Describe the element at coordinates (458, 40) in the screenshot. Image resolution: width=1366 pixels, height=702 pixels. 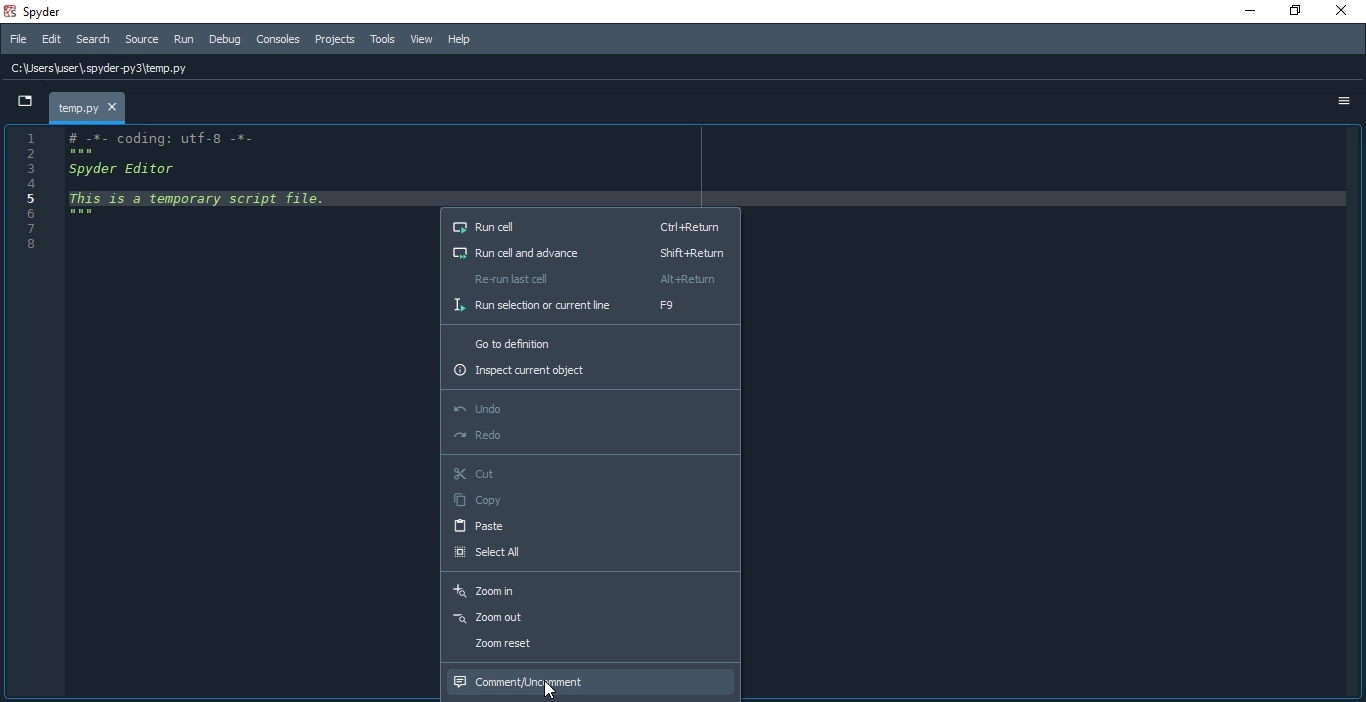
I see `Help` at that location.